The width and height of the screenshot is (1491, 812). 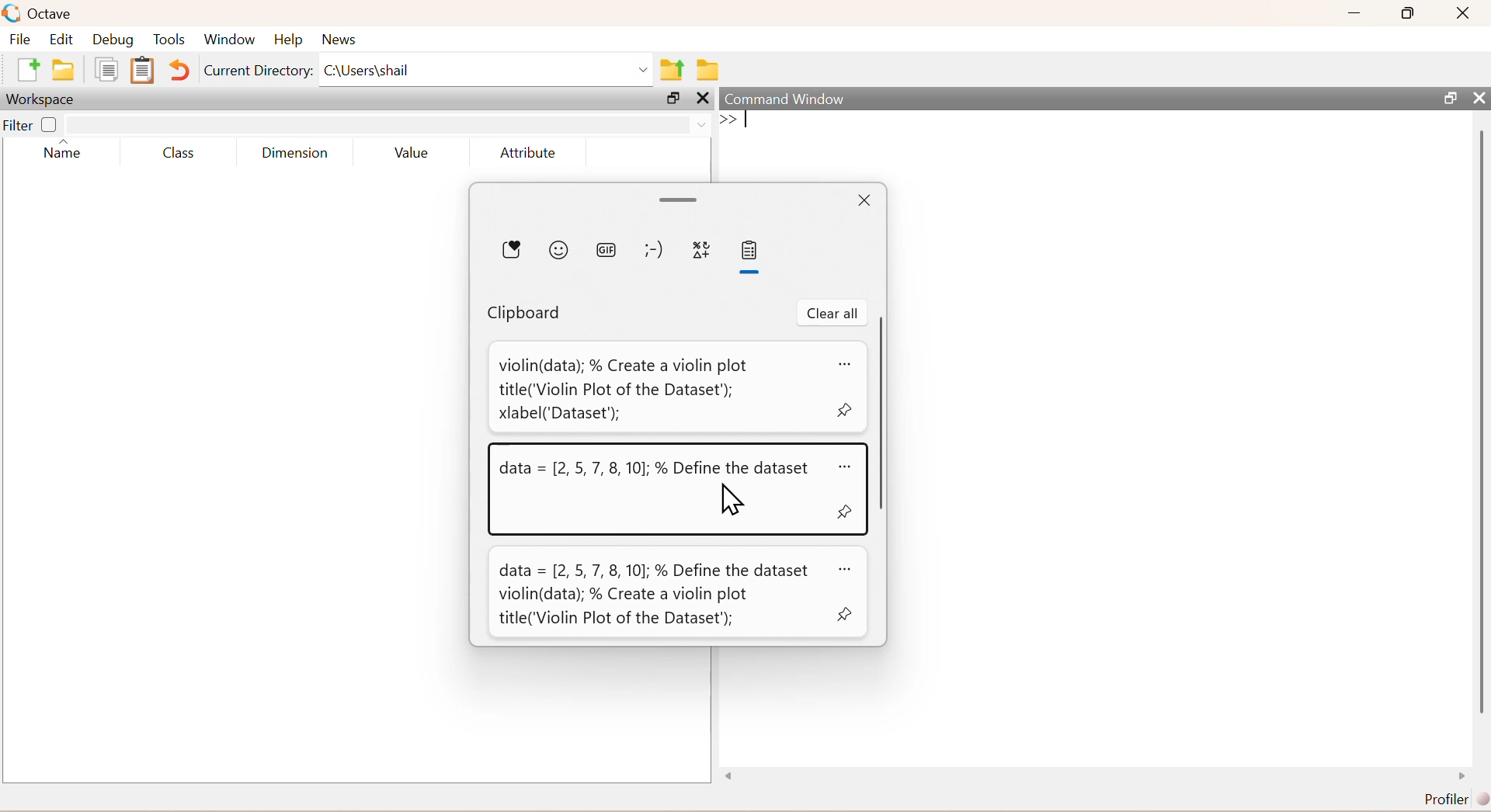 What do you see at coordinates (230, 40) in the screenshot?
I see `window` at bounding box center [230, 40].